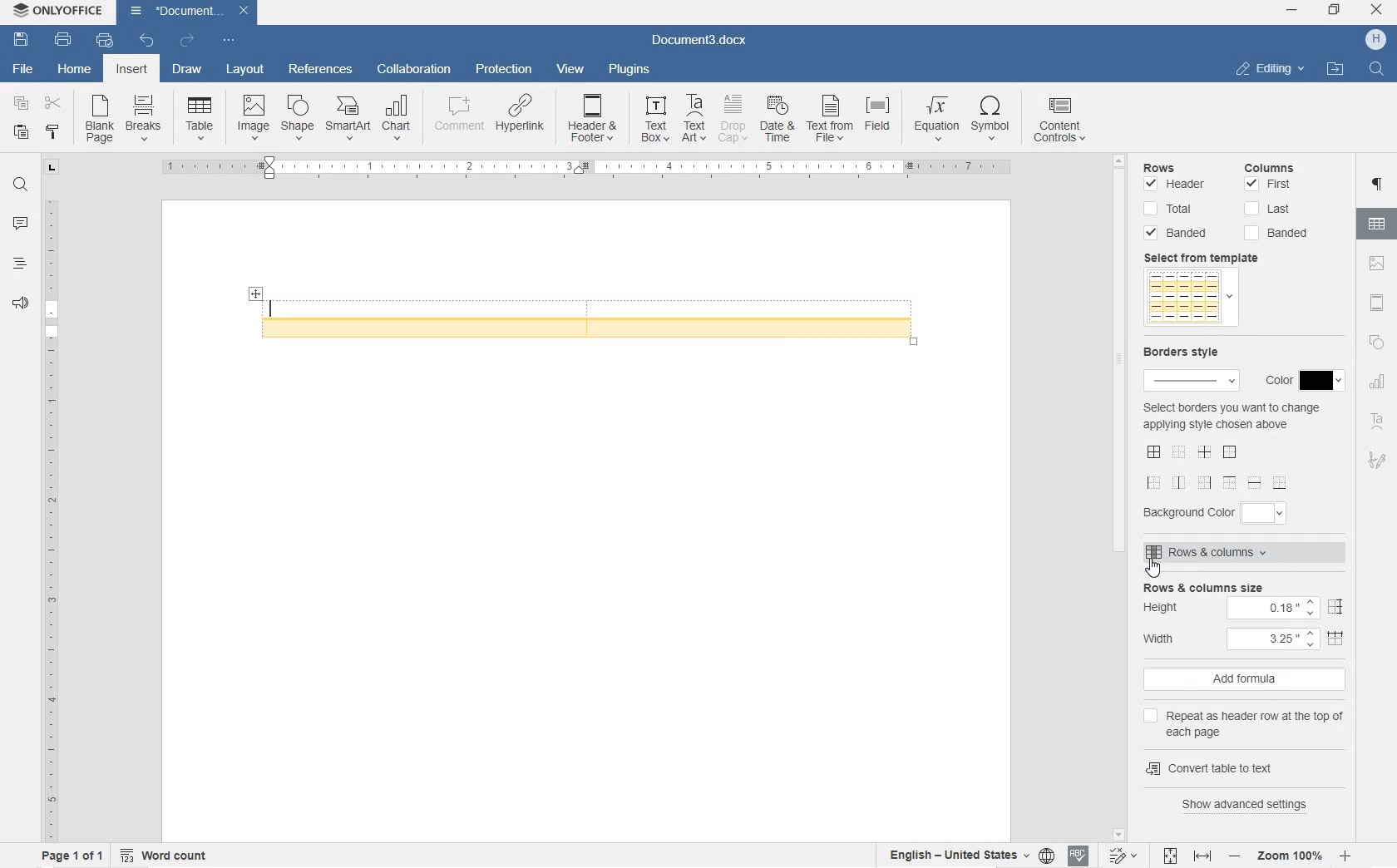  I want to click on open file location, so click(1335, 70).